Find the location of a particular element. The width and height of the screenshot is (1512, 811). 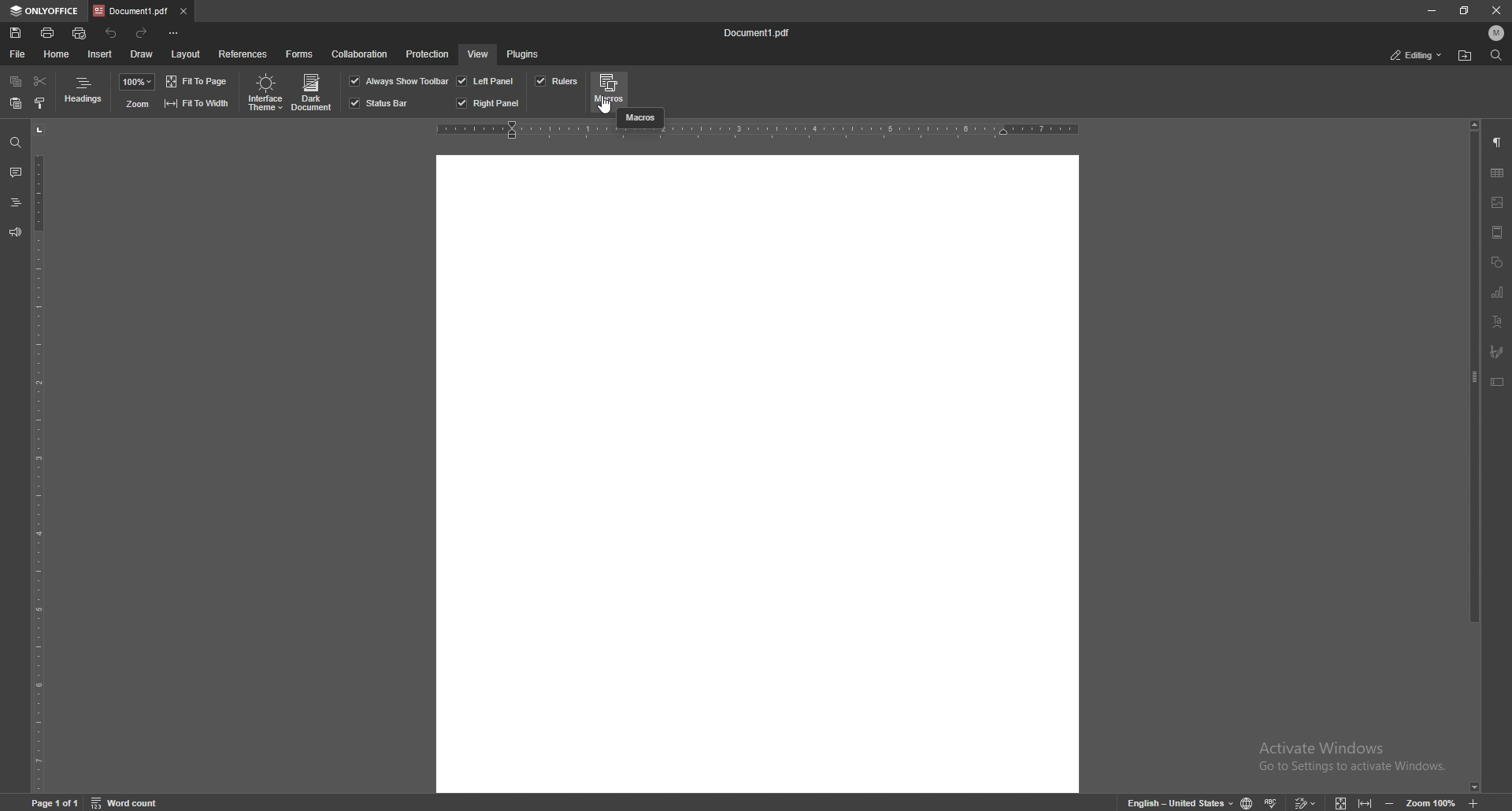

spell check is located at coordinates (1274, 800).